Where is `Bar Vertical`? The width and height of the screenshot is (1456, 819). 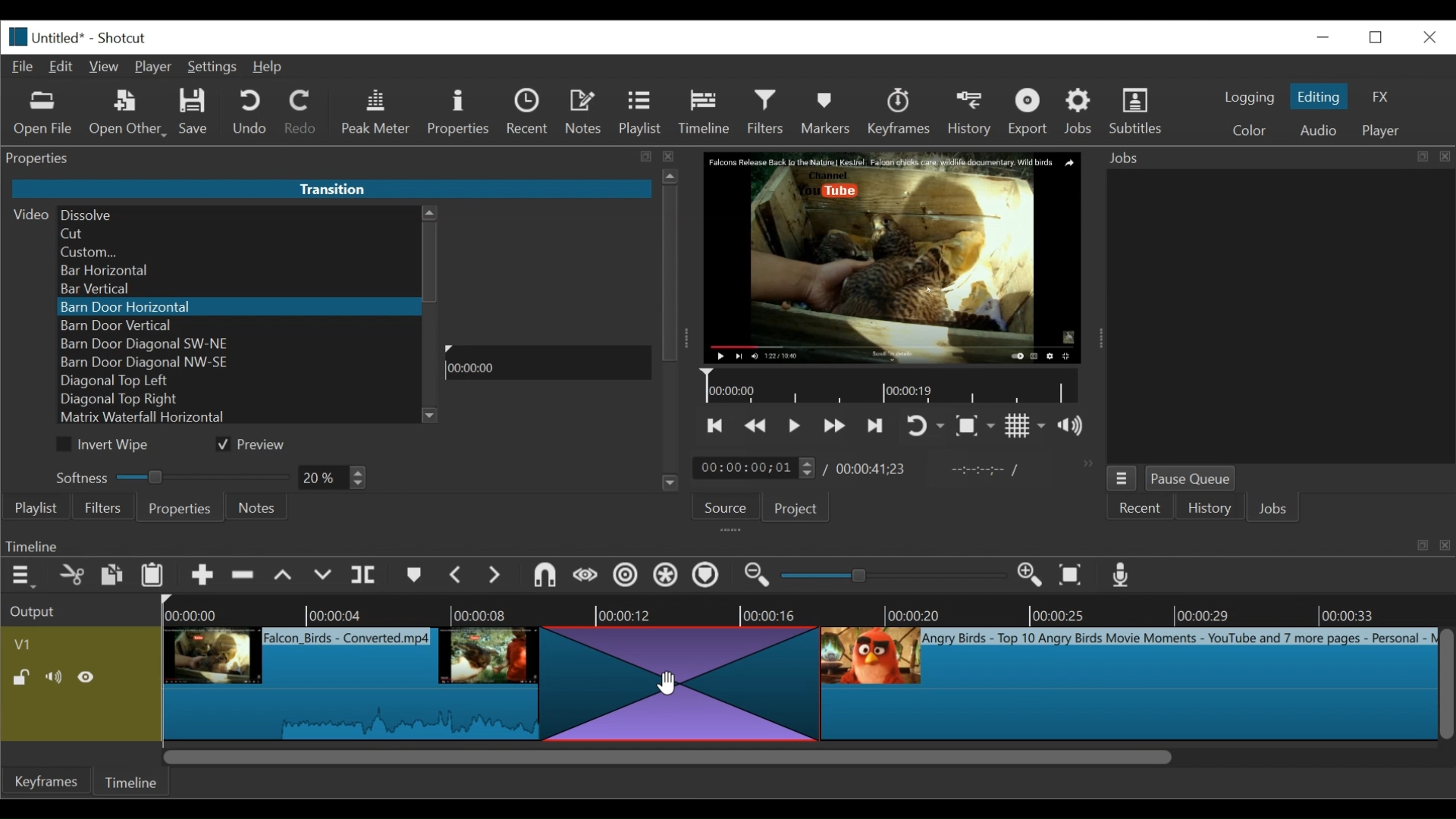 Bar Vertical is located at coordinates (236, 290).